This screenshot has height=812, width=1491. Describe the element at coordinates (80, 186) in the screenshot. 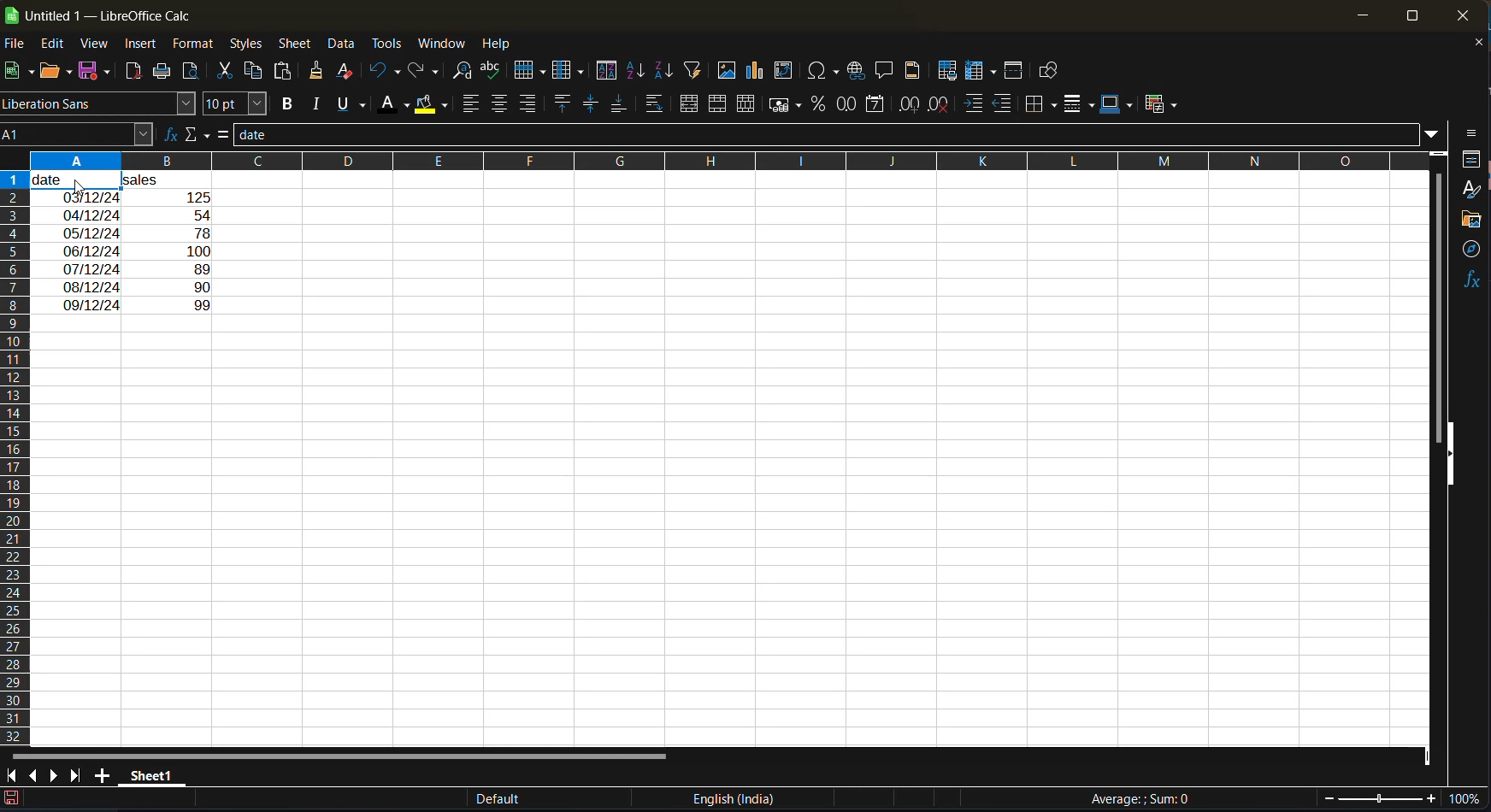

I see `cursor` at that location.